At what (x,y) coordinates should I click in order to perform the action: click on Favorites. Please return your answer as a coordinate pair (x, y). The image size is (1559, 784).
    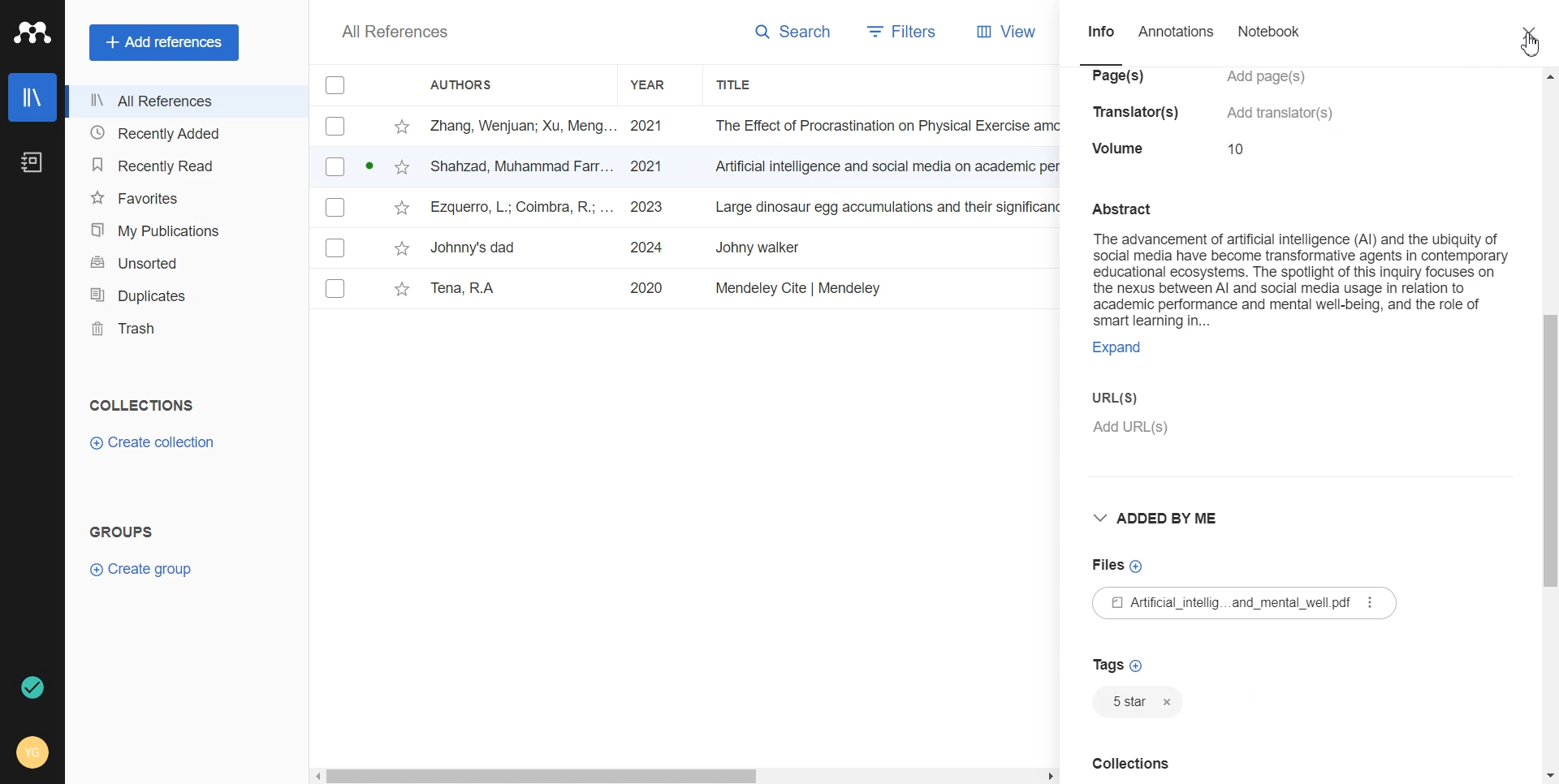
    Looking at the image, I should click on (183, 196).